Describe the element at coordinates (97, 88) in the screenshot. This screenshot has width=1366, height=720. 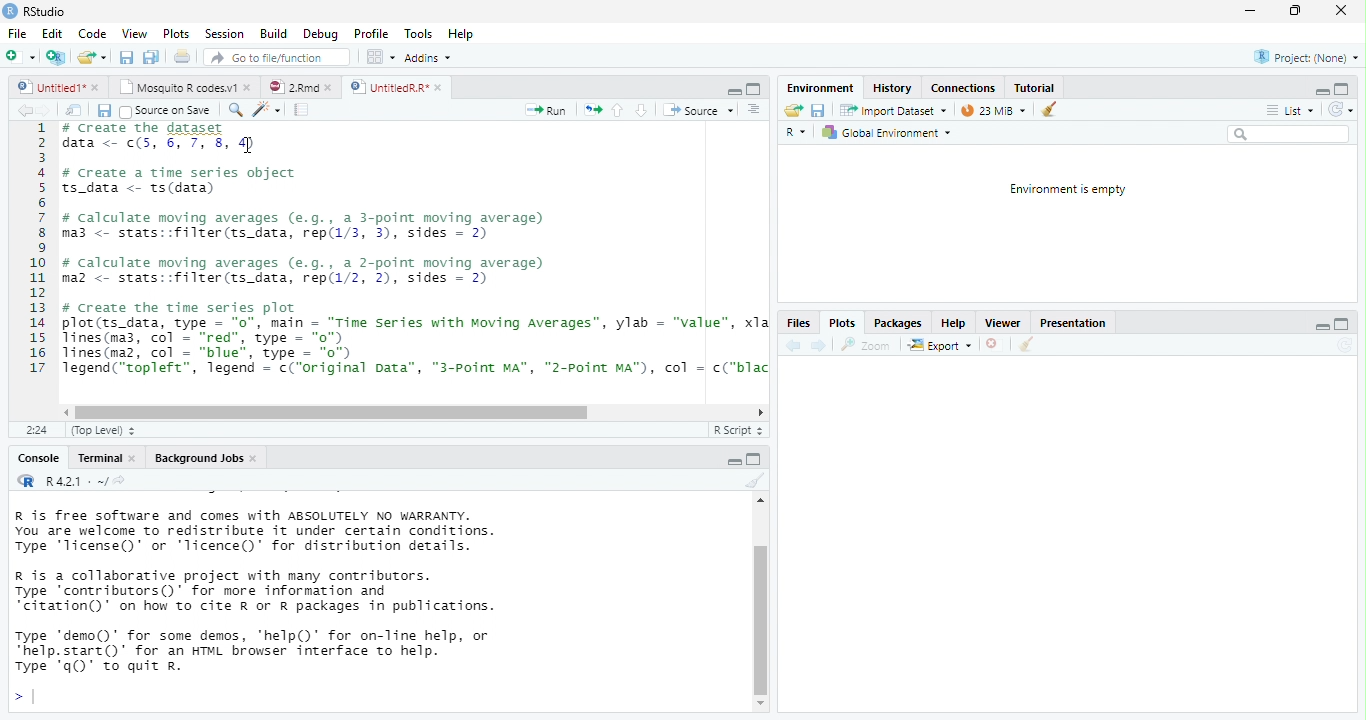
I see `close` at that location.